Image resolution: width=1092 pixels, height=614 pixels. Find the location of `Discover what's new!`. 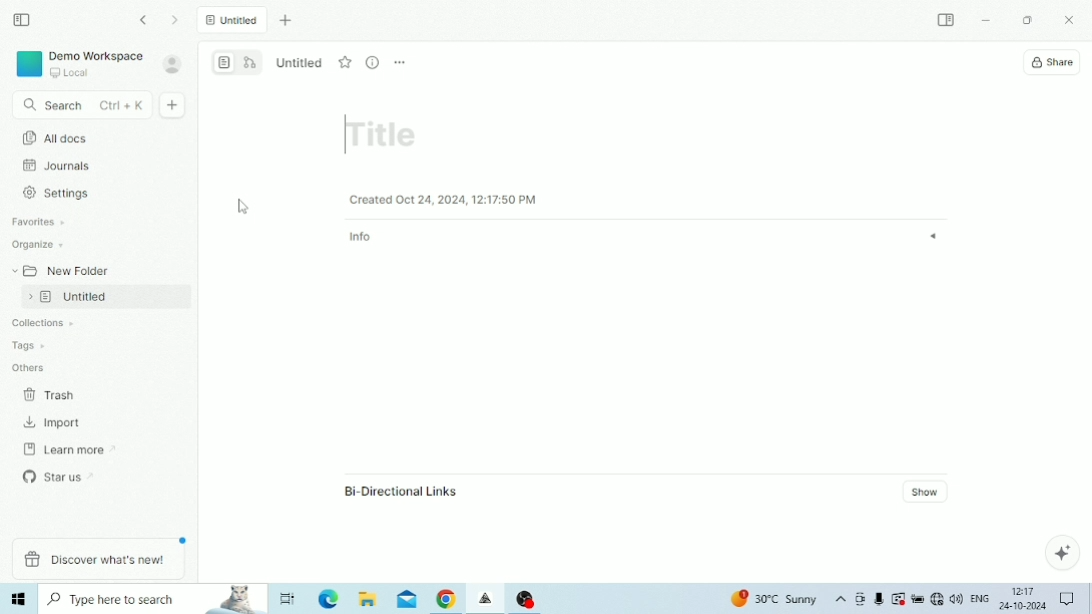

Discover what's new! is located at coordinates (98, 560).